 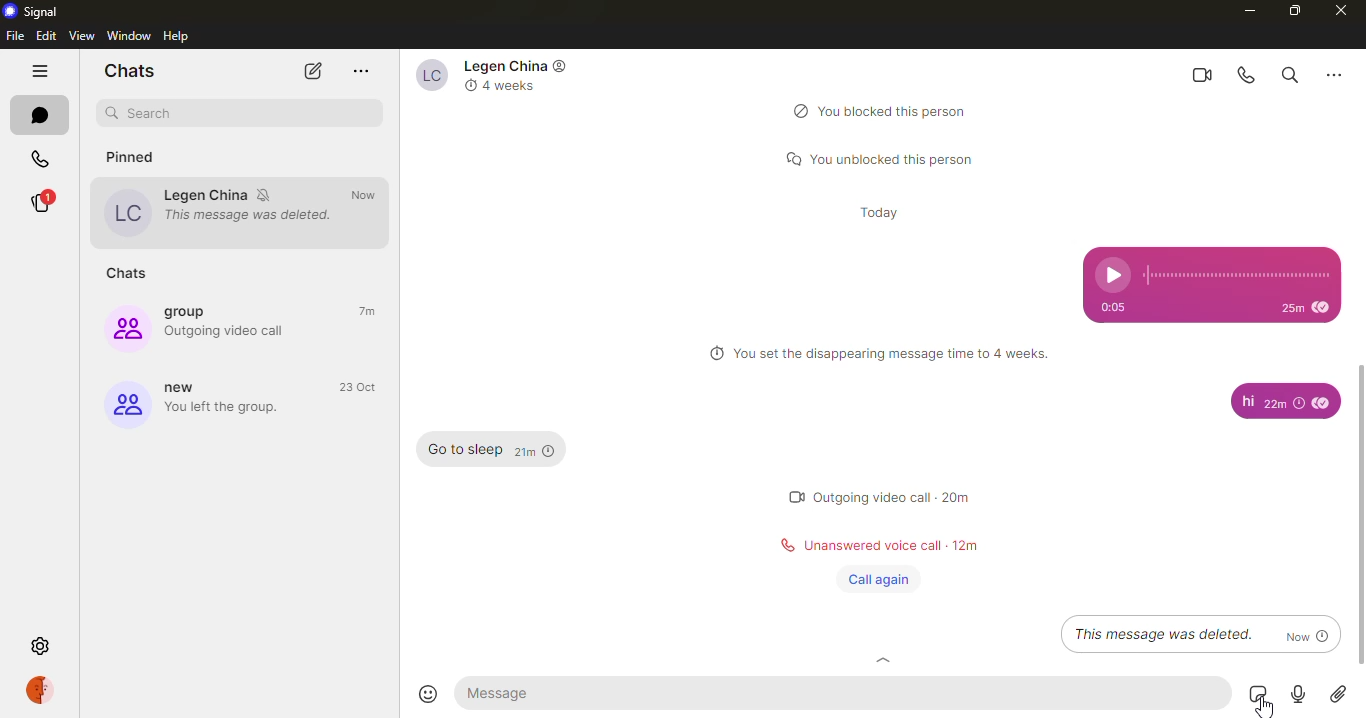 What do you see at coordinates (132, 71) in the screenshot?
I see `chats` at bounding box center [132, 71].